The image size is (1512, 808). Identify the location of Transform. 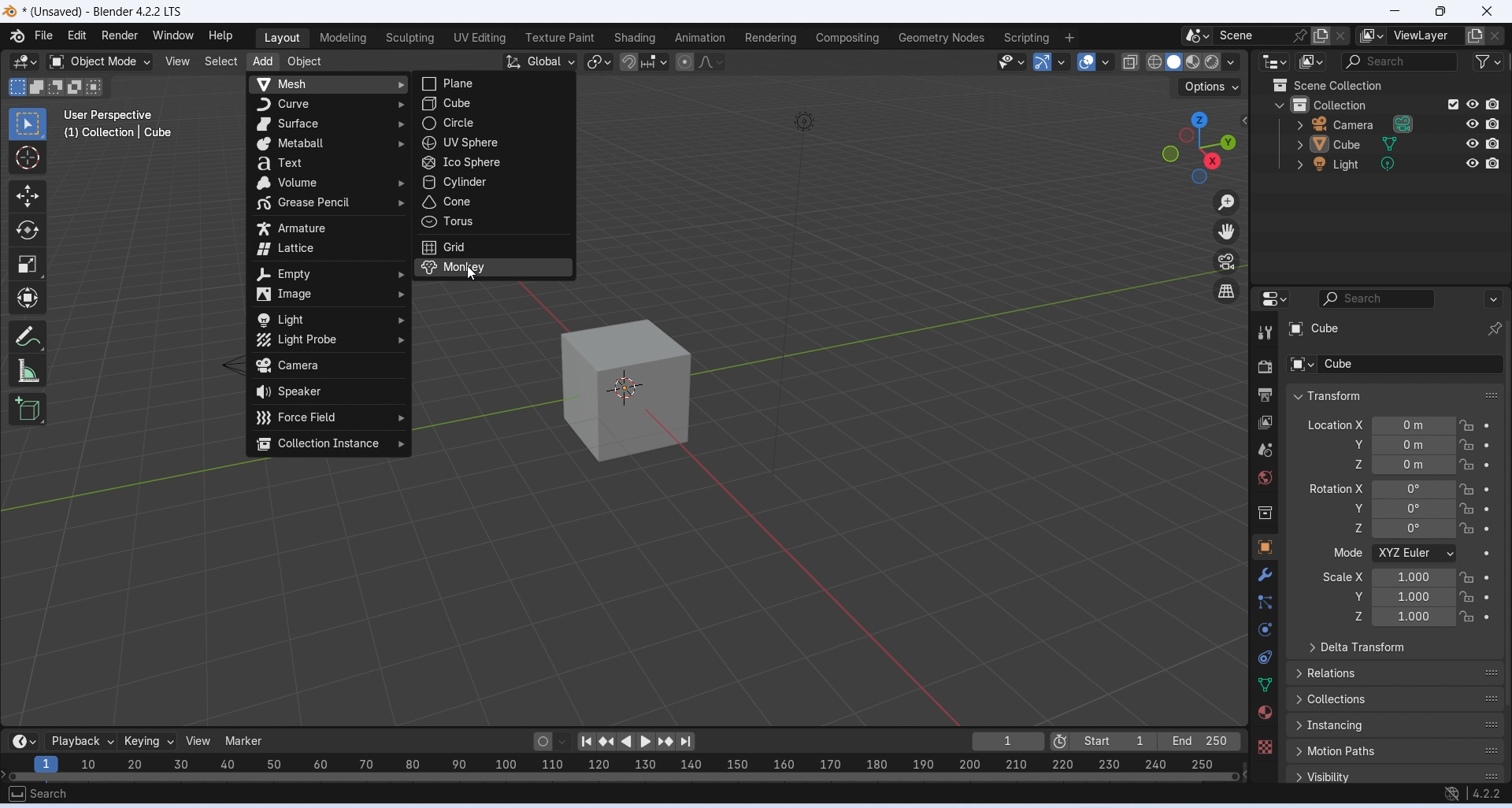
(27, 297).